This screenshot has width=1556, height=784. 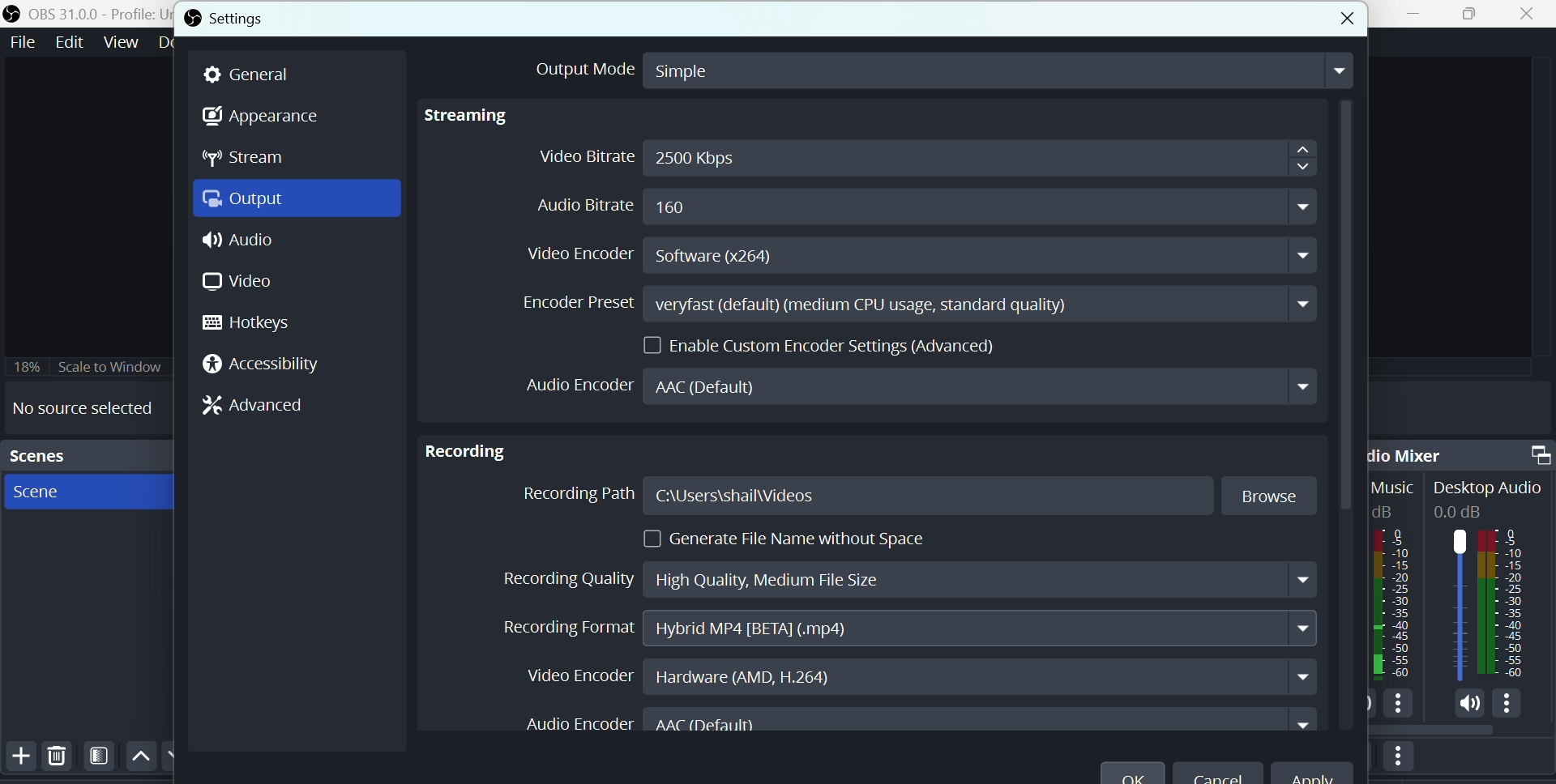 I want to click on Accessibility, so click(x=268, y=363).